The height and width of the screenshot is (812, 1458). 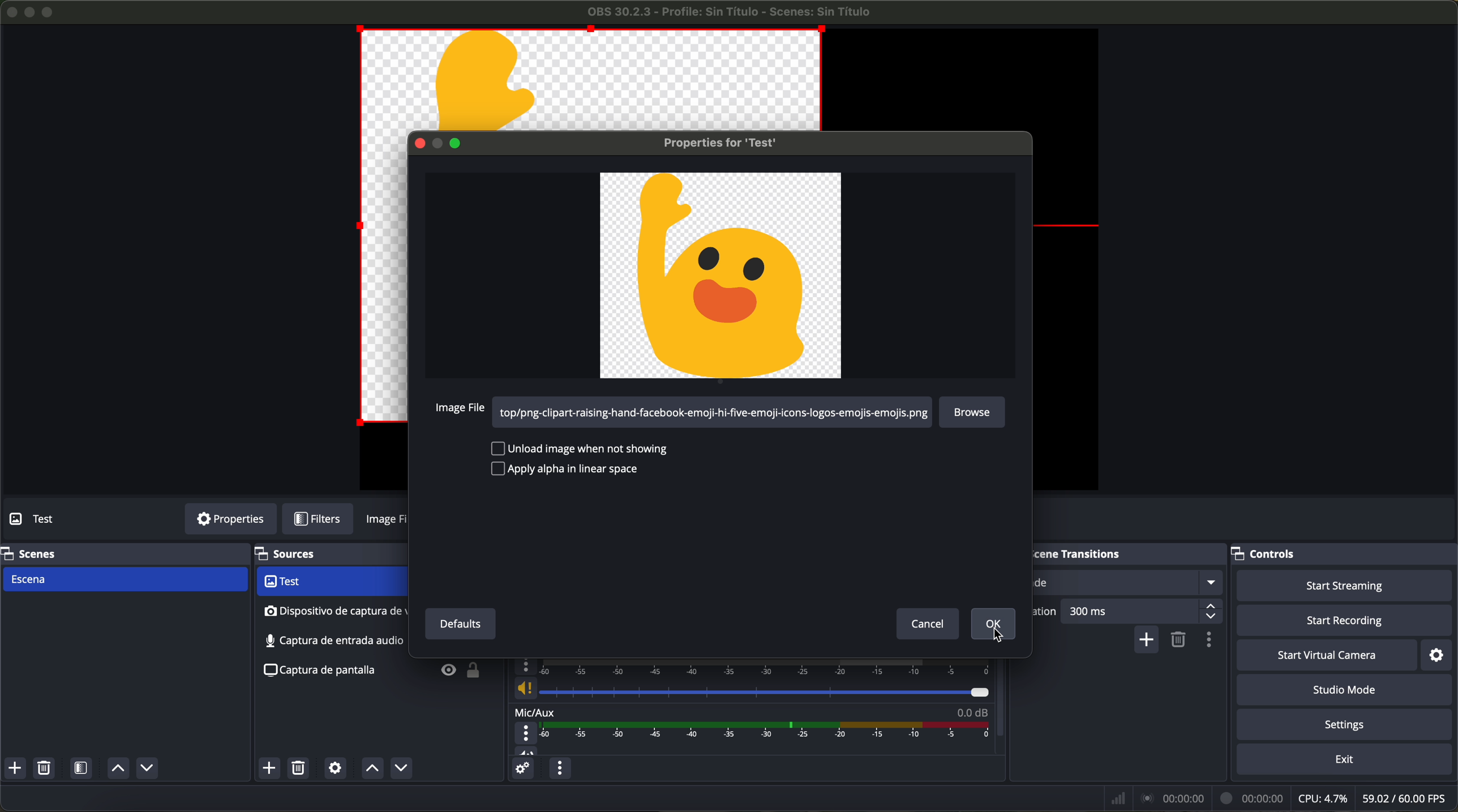 I want to click on vol, so click(x=750, y=689).